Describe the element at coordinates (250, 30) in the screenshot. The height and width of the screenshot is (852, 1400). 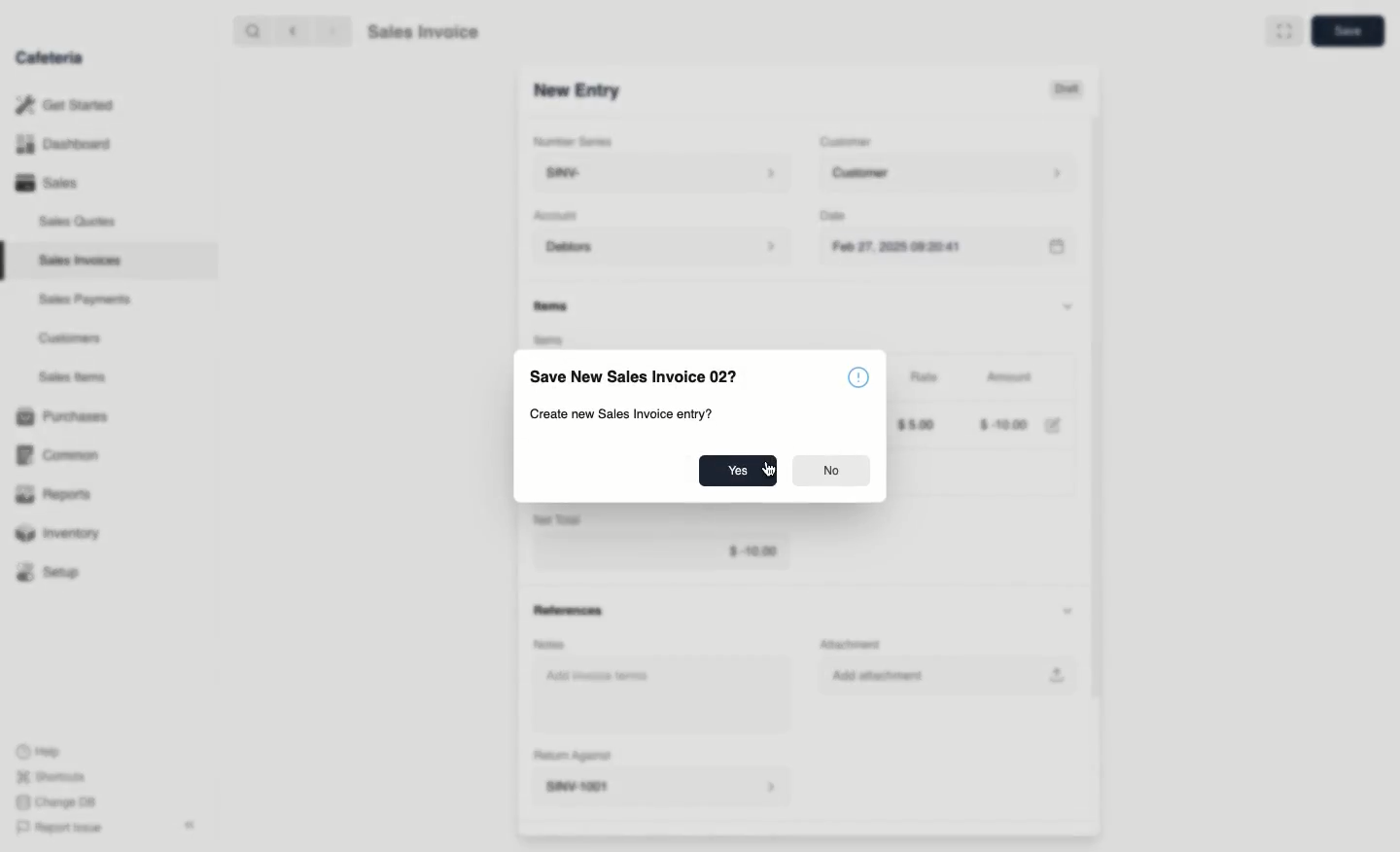
I see `search` at that location.